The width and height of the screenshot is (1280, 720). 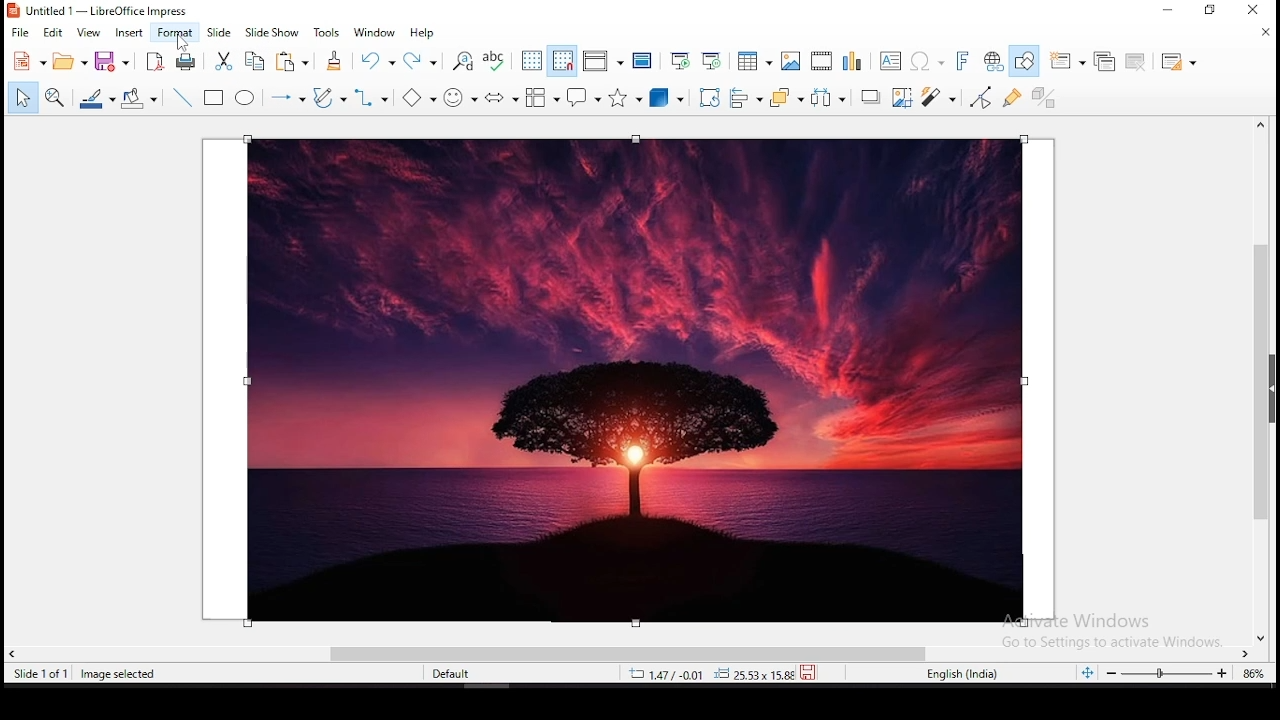 I want to click on show draw functions, so click(x=1028, y=60).